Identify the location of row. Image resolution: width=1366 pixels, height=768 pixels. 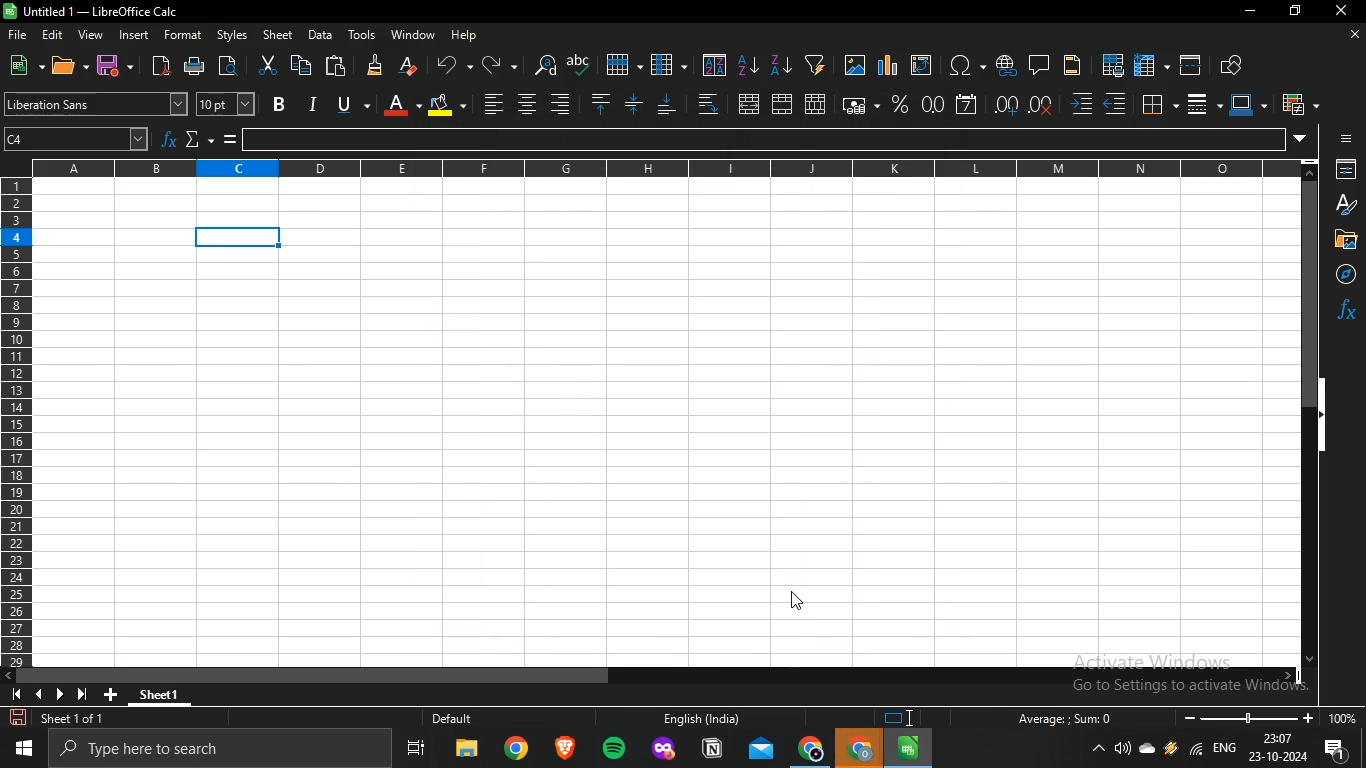
(621, 64).